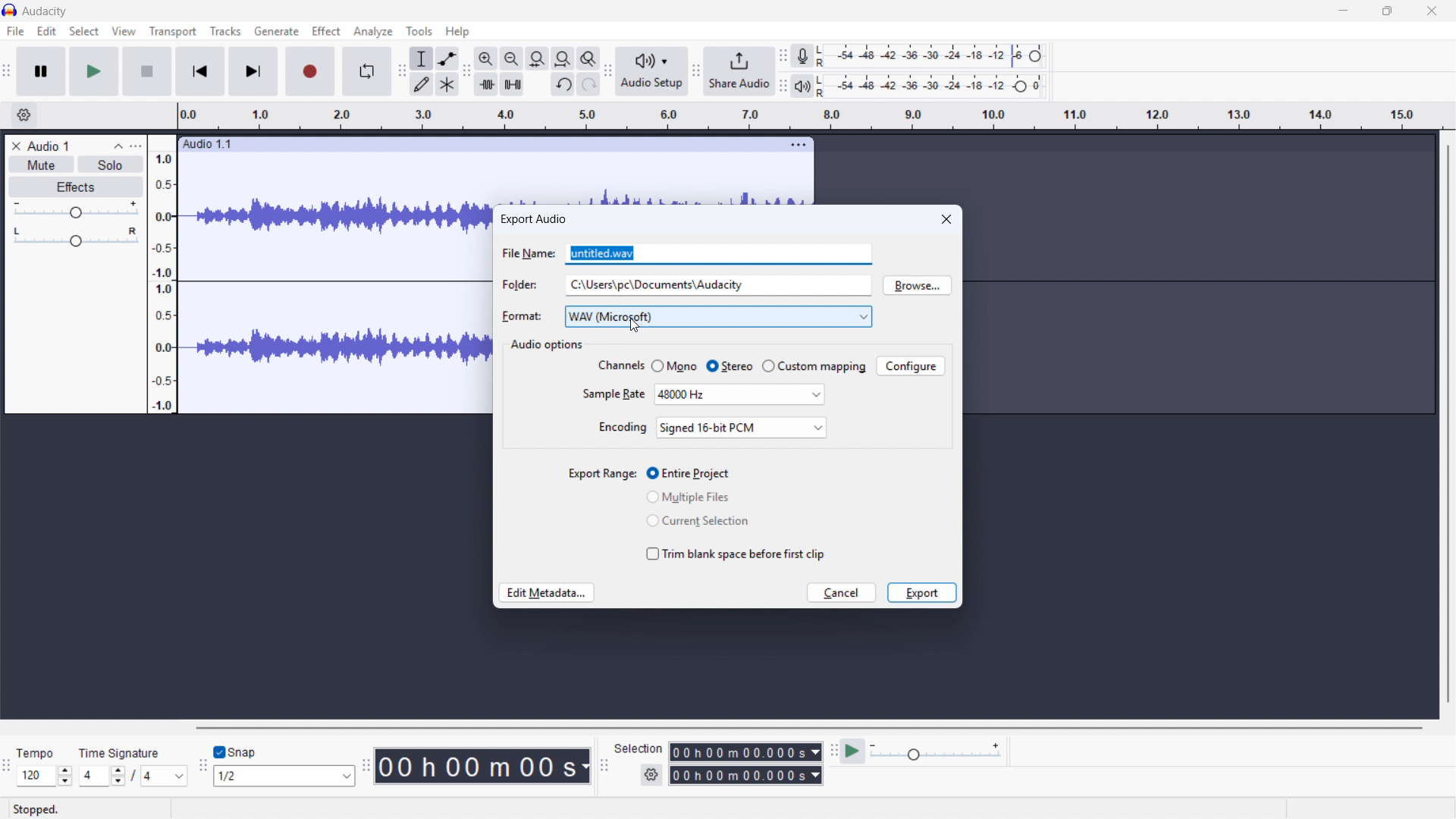 Image resolution: width=1456 pixels, height=819 pixels. Describe the element at coordinates (588, 58) in the screenshot. I see `Toggle zoom ` at that location.